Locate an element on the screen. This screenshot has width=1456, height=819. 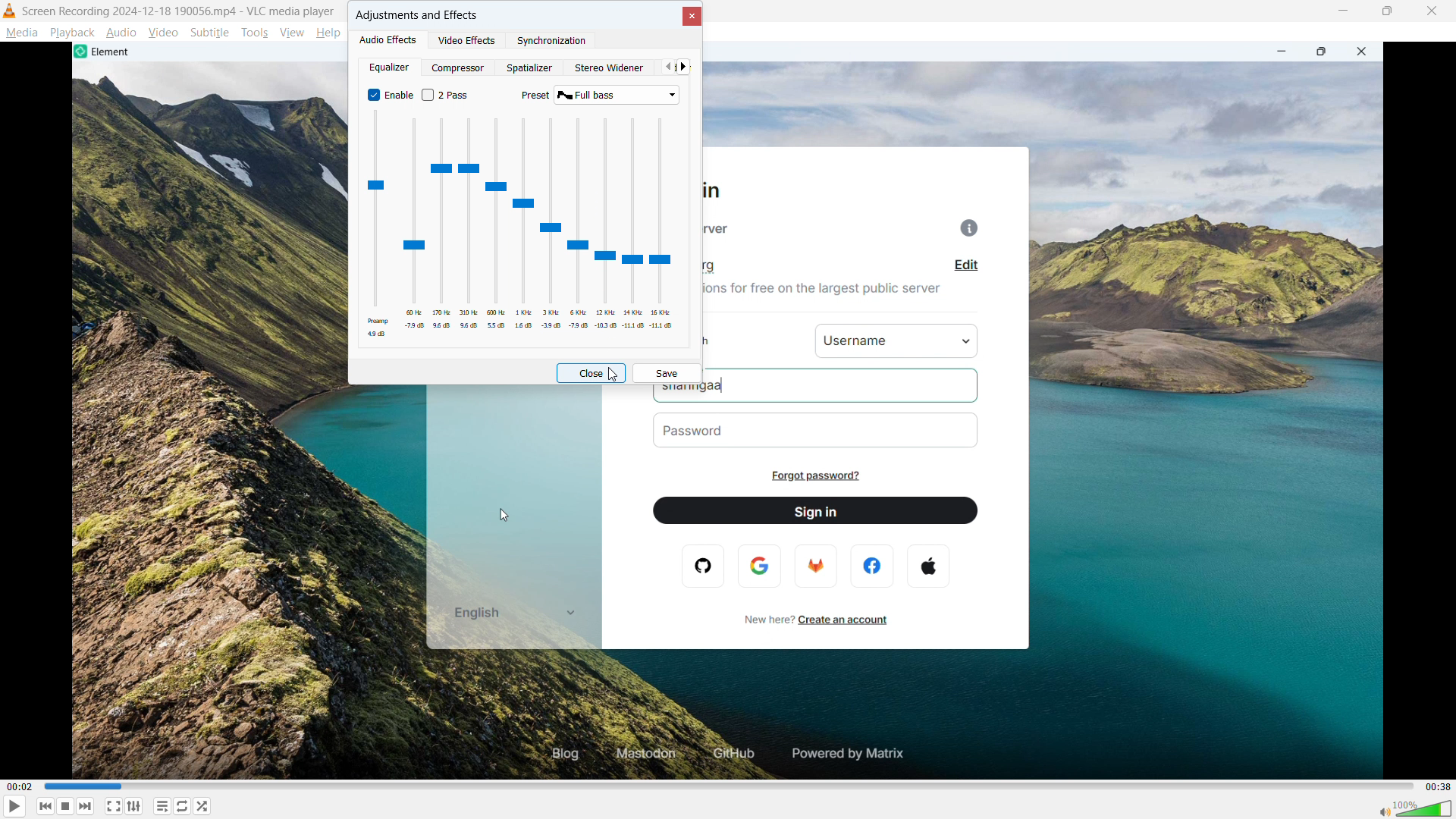
next tab  is located at coordinates (683, 67).